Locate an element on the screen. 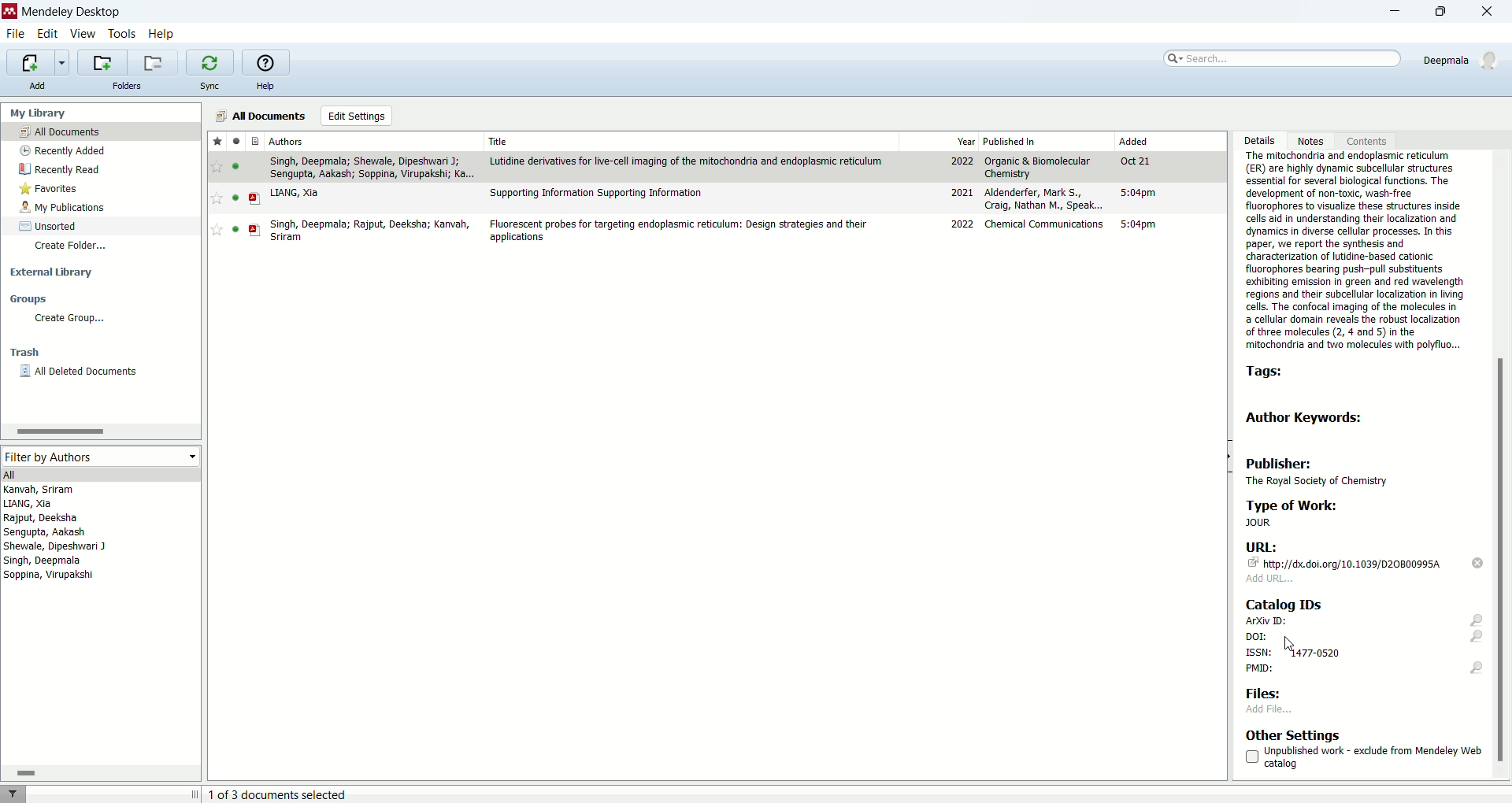 This screenshot has width=1512, height=803. file is located at coordinates (16, 35).